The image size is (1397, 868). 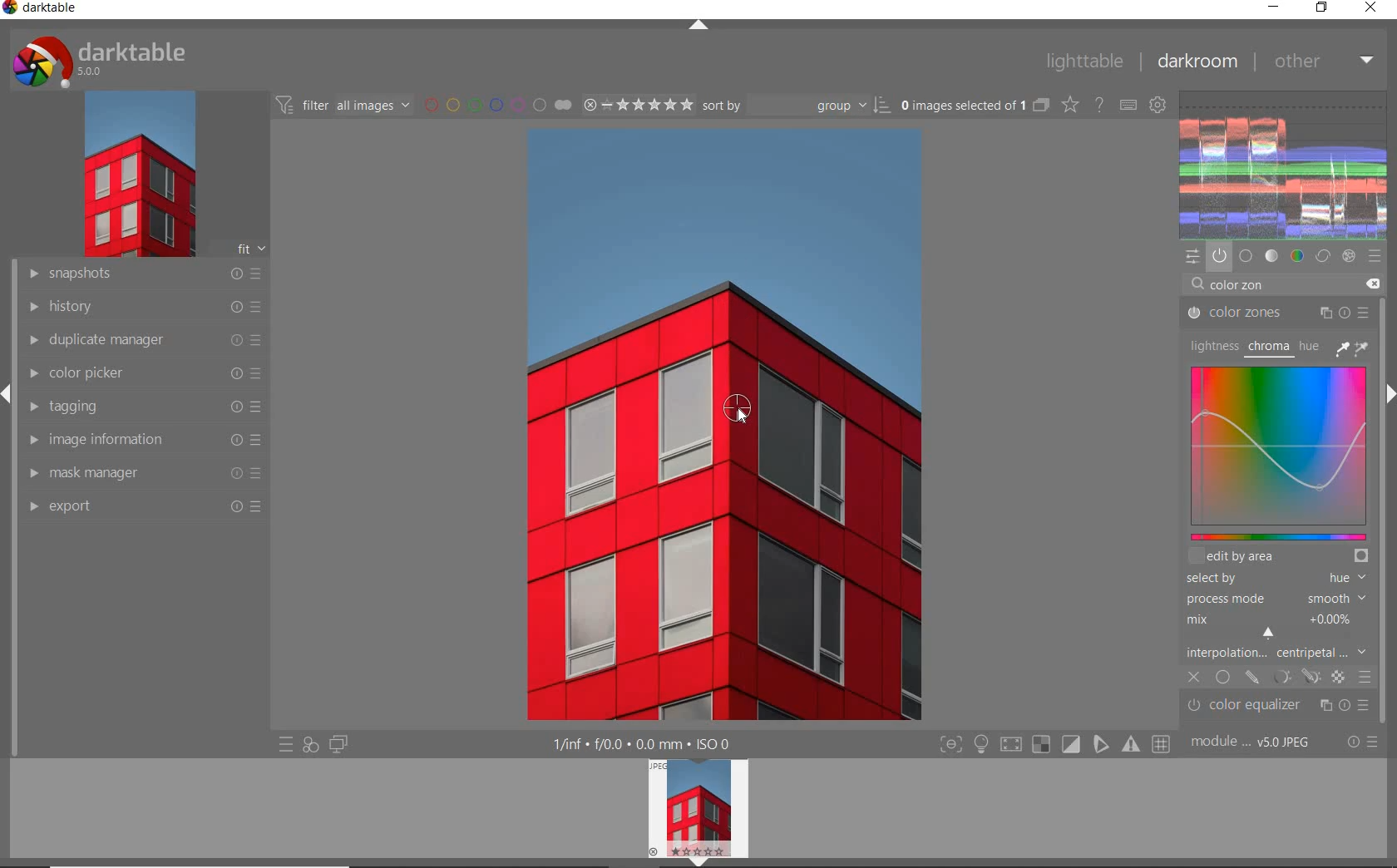 What do you see at coordinates (140, 342) in the screenshot?
I see `duplicate manager` at bounding box center [140, 342].